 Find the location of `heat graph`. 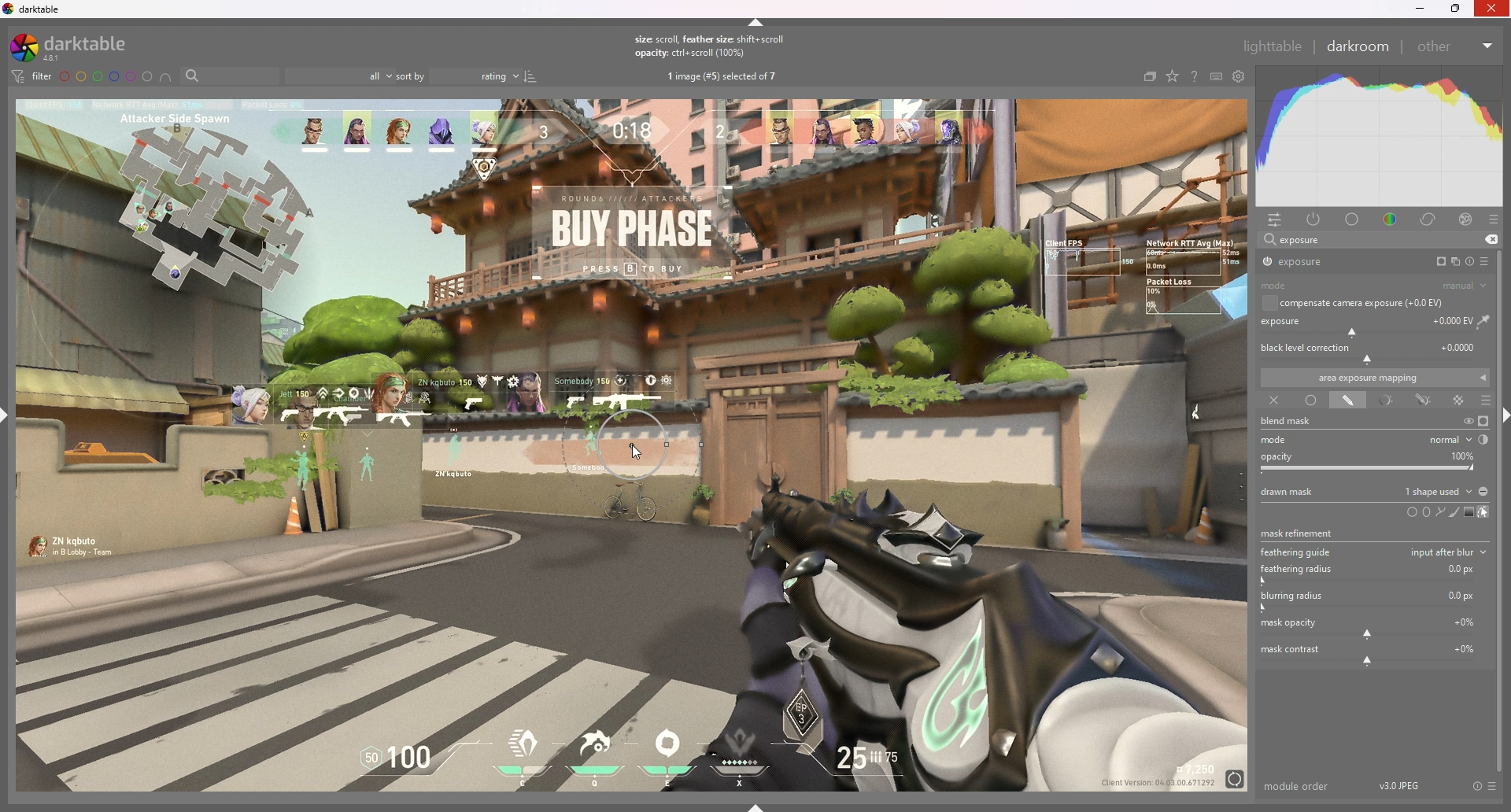

heat graph is located at coordinates (1378, 137).